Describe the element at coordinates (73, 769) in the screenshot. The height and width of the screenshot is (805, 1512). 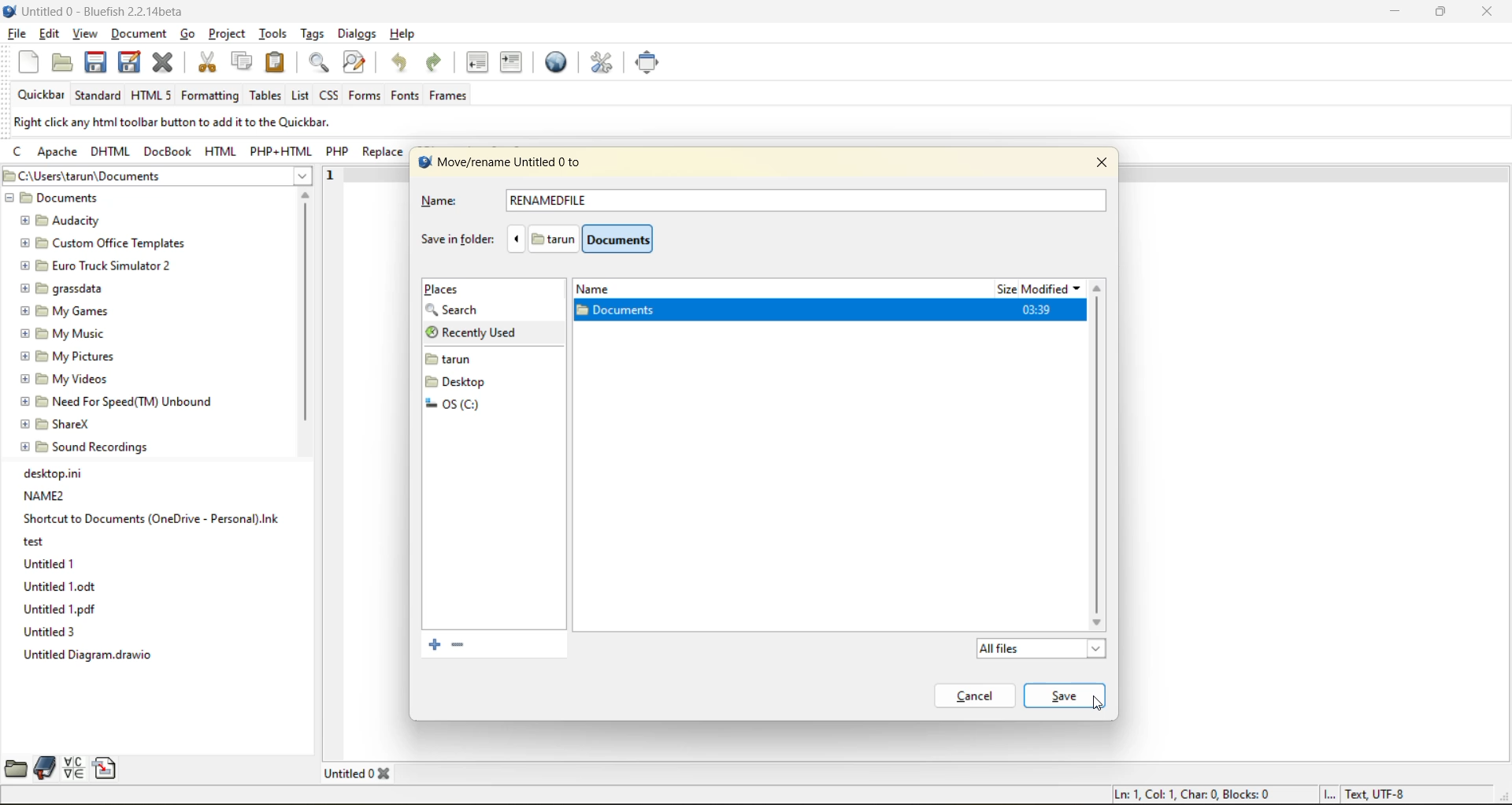
I see `charmap` at that location.